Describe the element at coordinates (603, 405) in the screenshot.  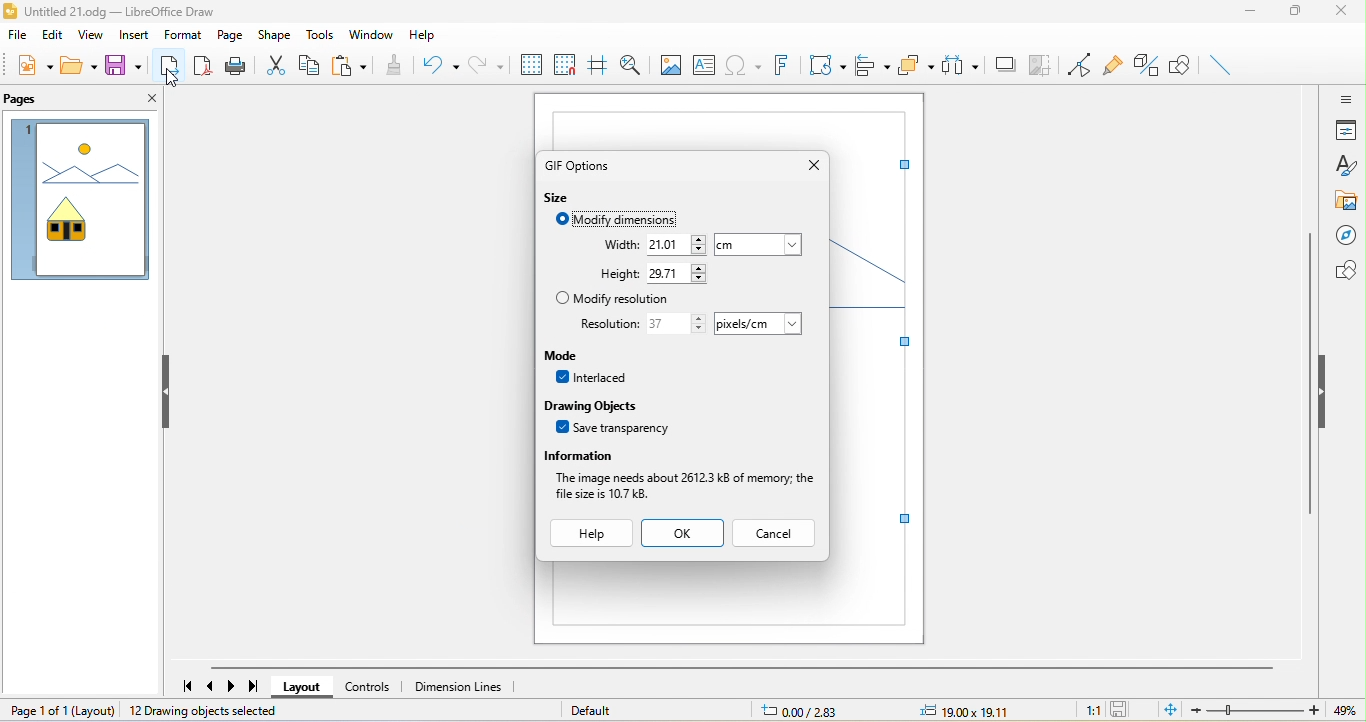
I see `drawing objects` at that location.